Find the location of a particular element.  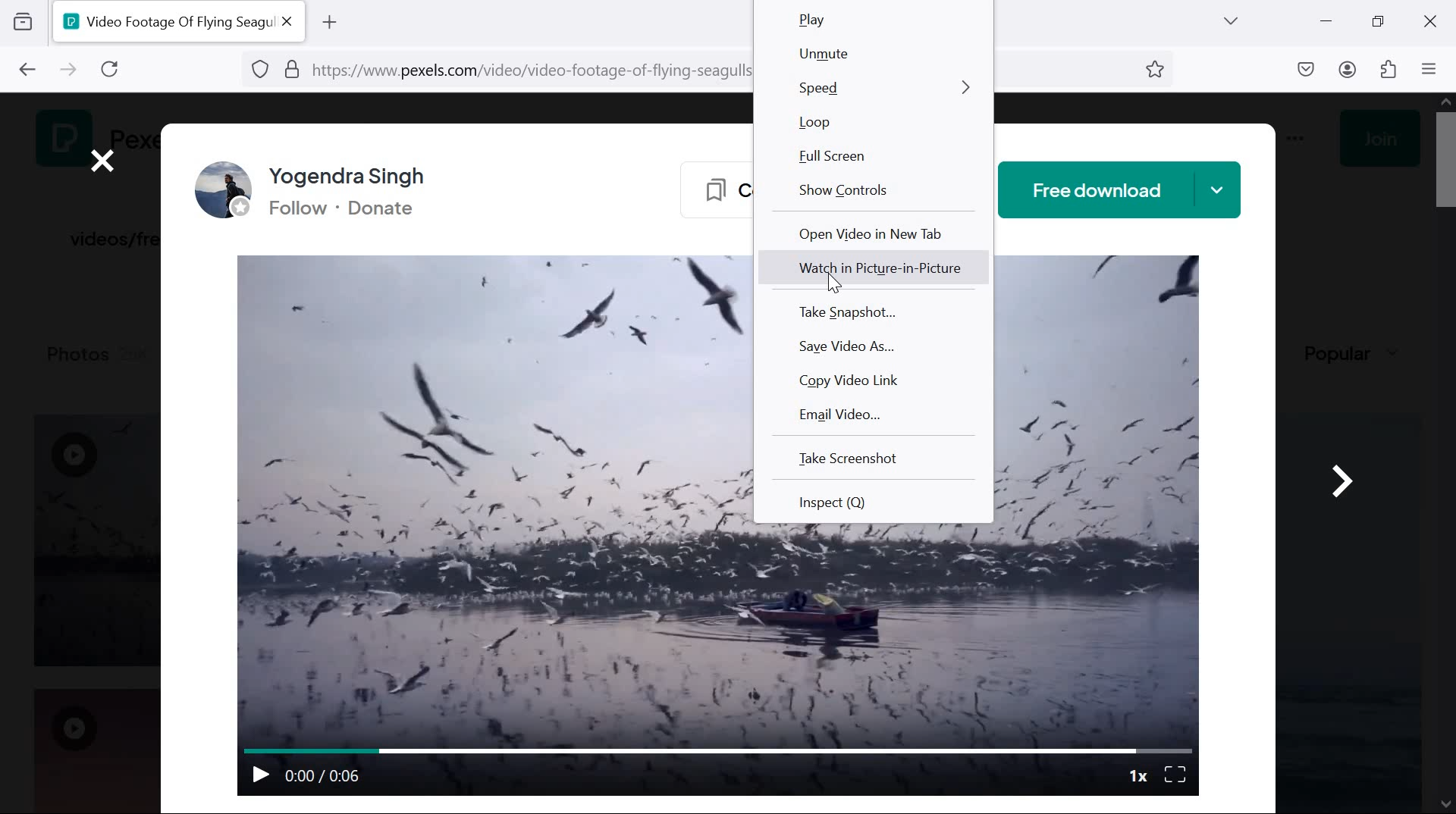

close is located at coordinates (103, 161).